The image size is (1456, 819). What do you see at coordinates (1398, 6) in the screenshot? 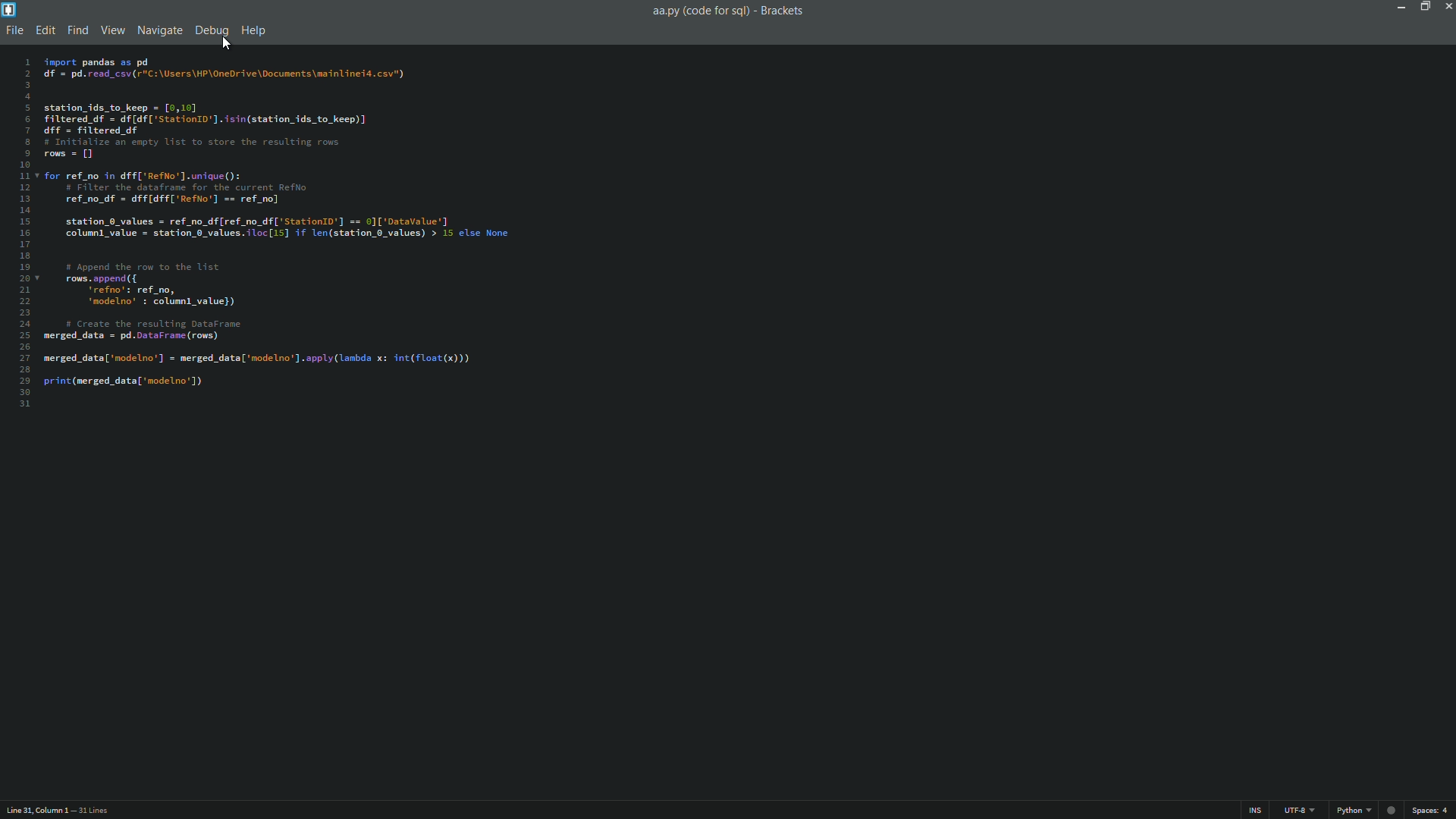
I see `minimize` at bounding box center [1398, 6].